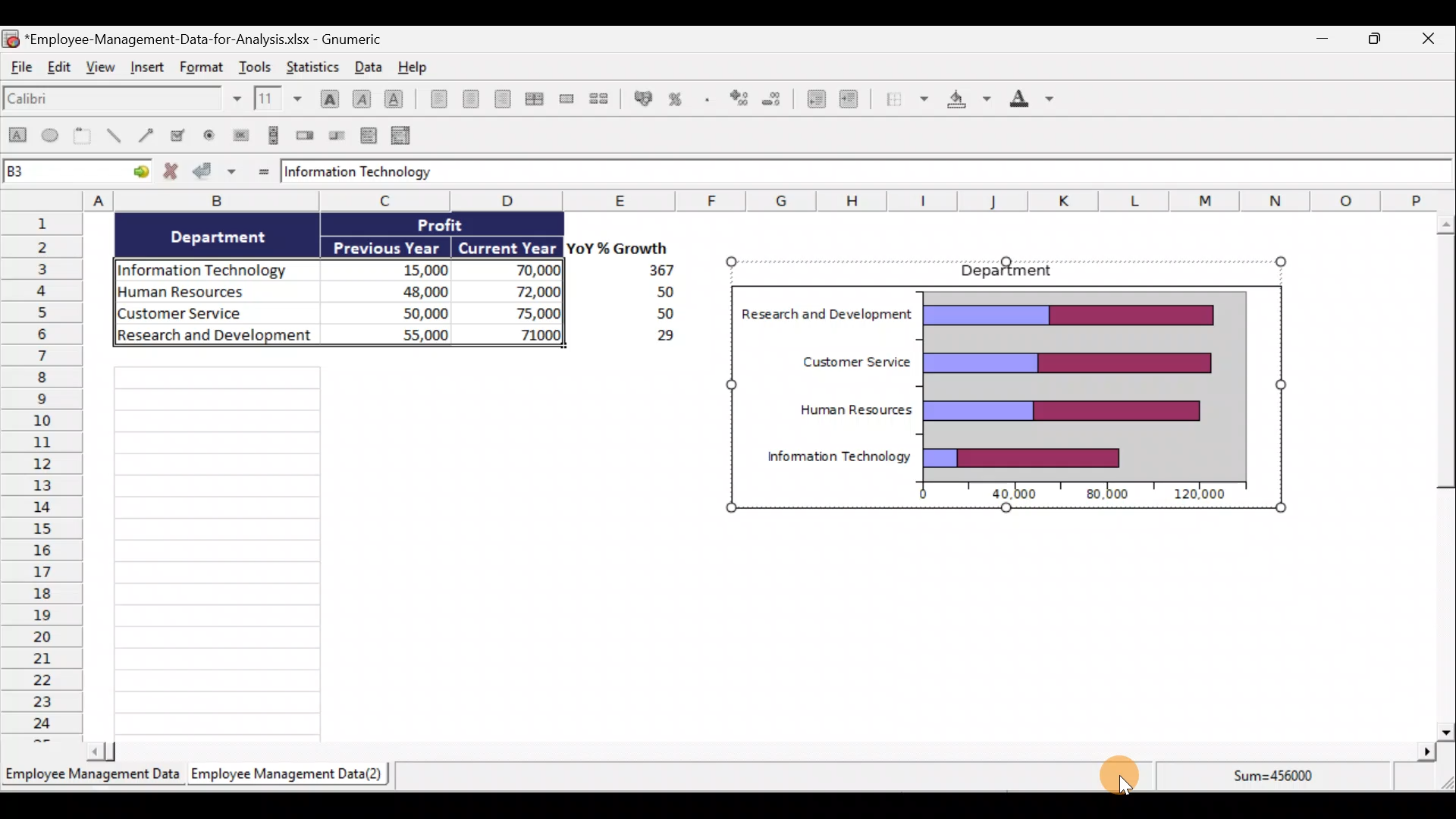  What do you see at coordinates (92, 773) in the screenshot?
I see `Employee Management Data` at bounding box center [92, 773].